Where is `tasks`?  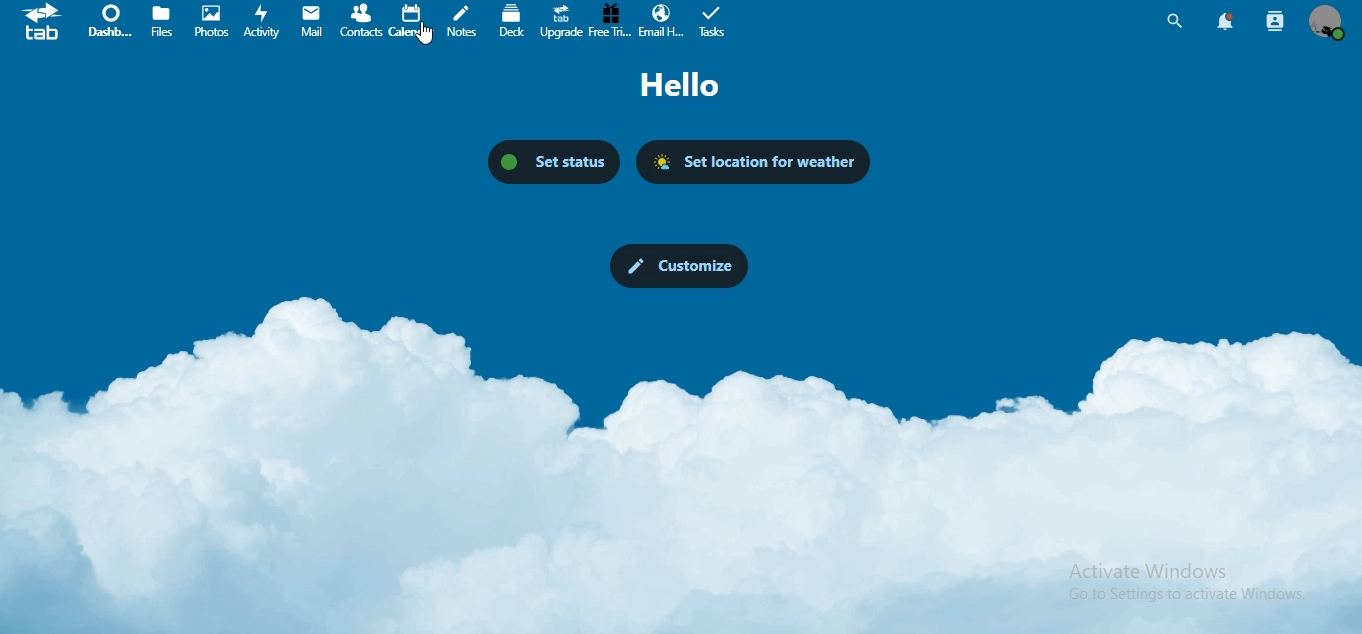 tasks is located at coordinates (715, 22).